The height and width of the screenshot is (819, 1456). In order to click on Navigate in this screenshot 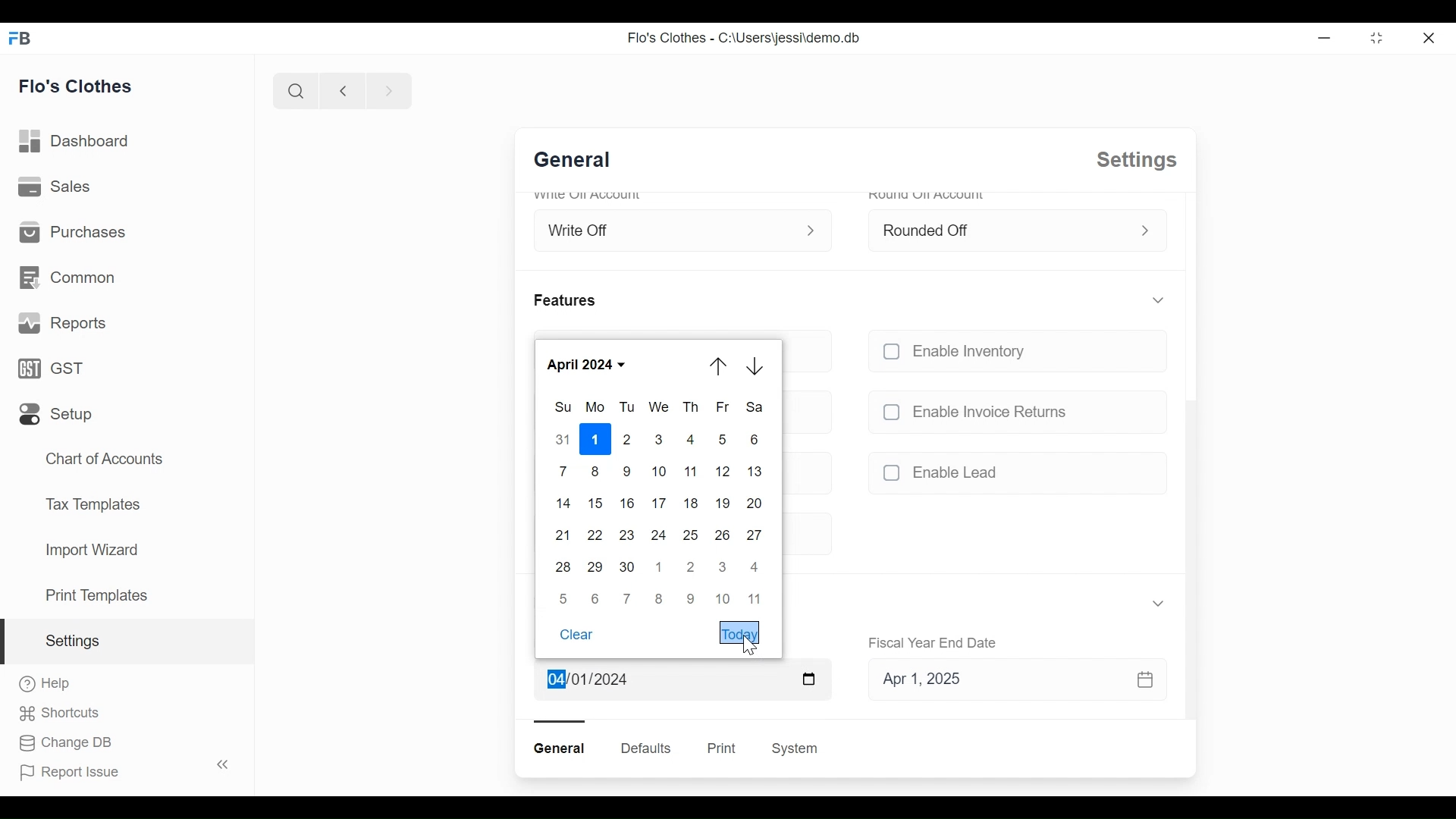, I will do `click(387, 89)`.